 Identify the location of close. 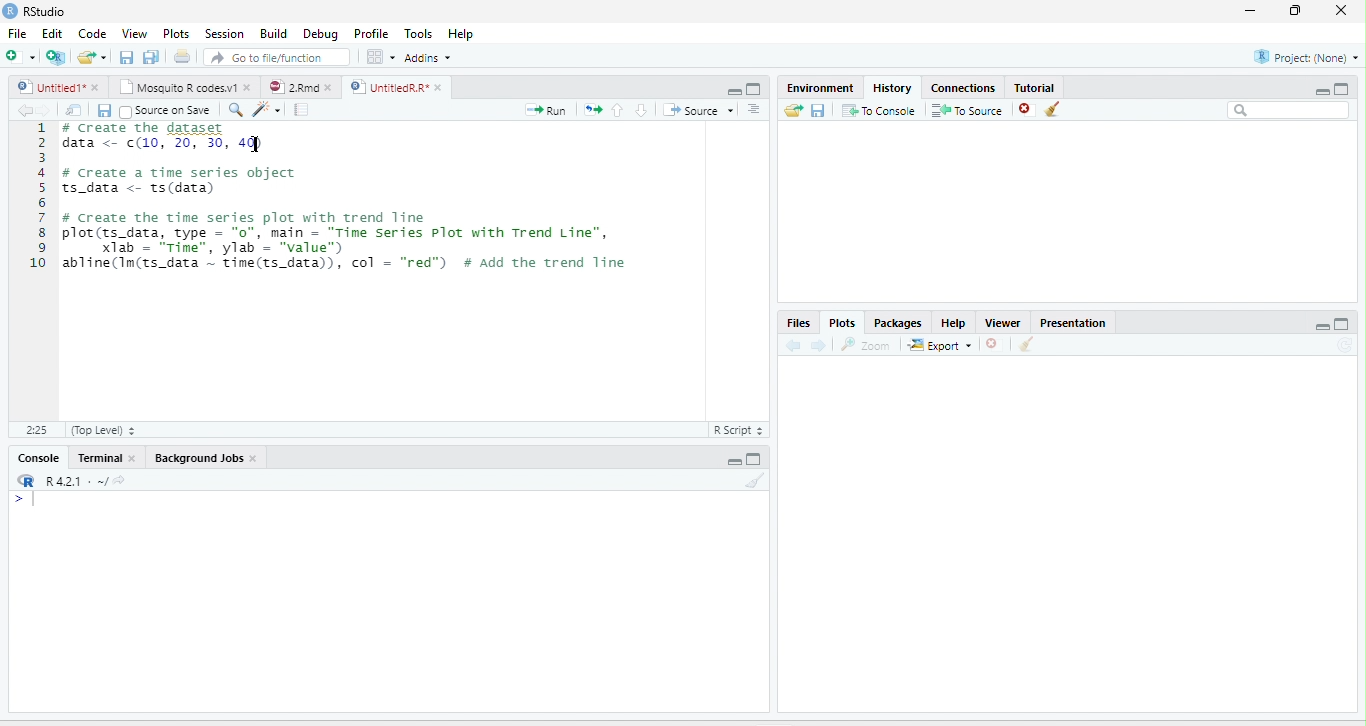
(131, 458).